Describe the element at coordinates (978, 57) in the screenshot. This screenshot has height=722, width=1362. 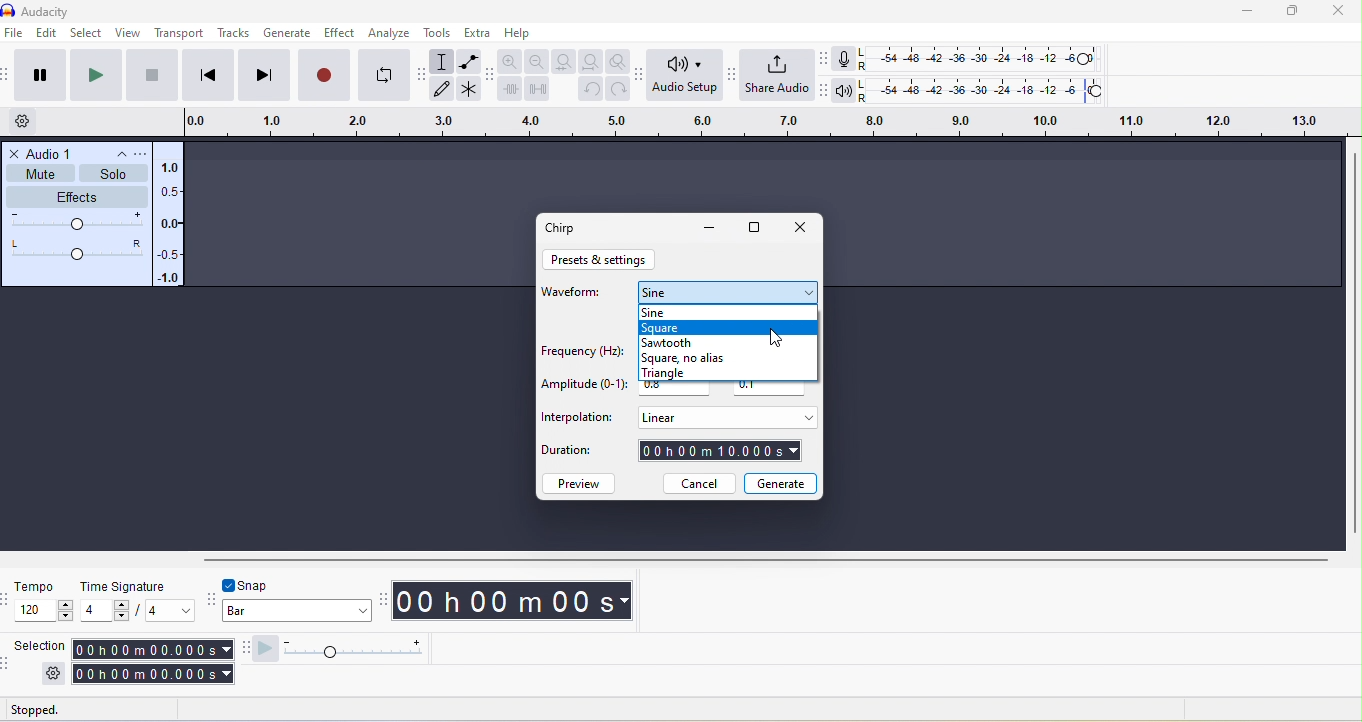
I see `recording level` at that location.